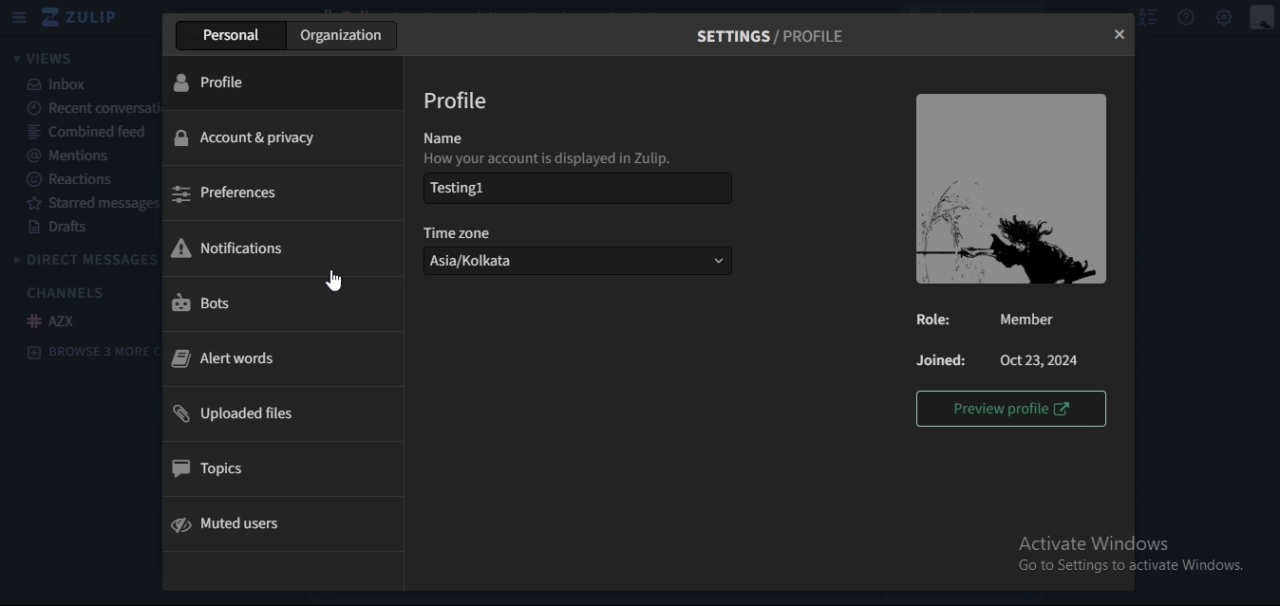  I want to click on views, so click(48, 58).